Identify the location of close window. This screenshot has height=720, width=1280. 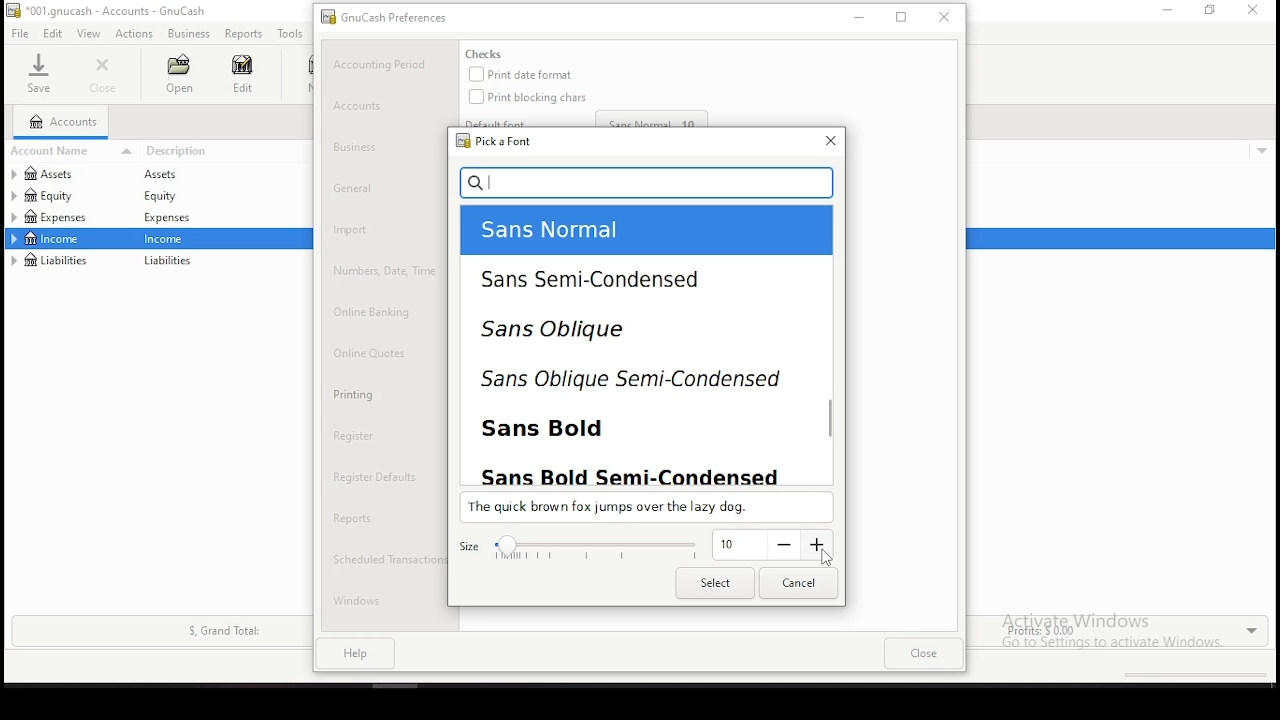
(1254, 10).